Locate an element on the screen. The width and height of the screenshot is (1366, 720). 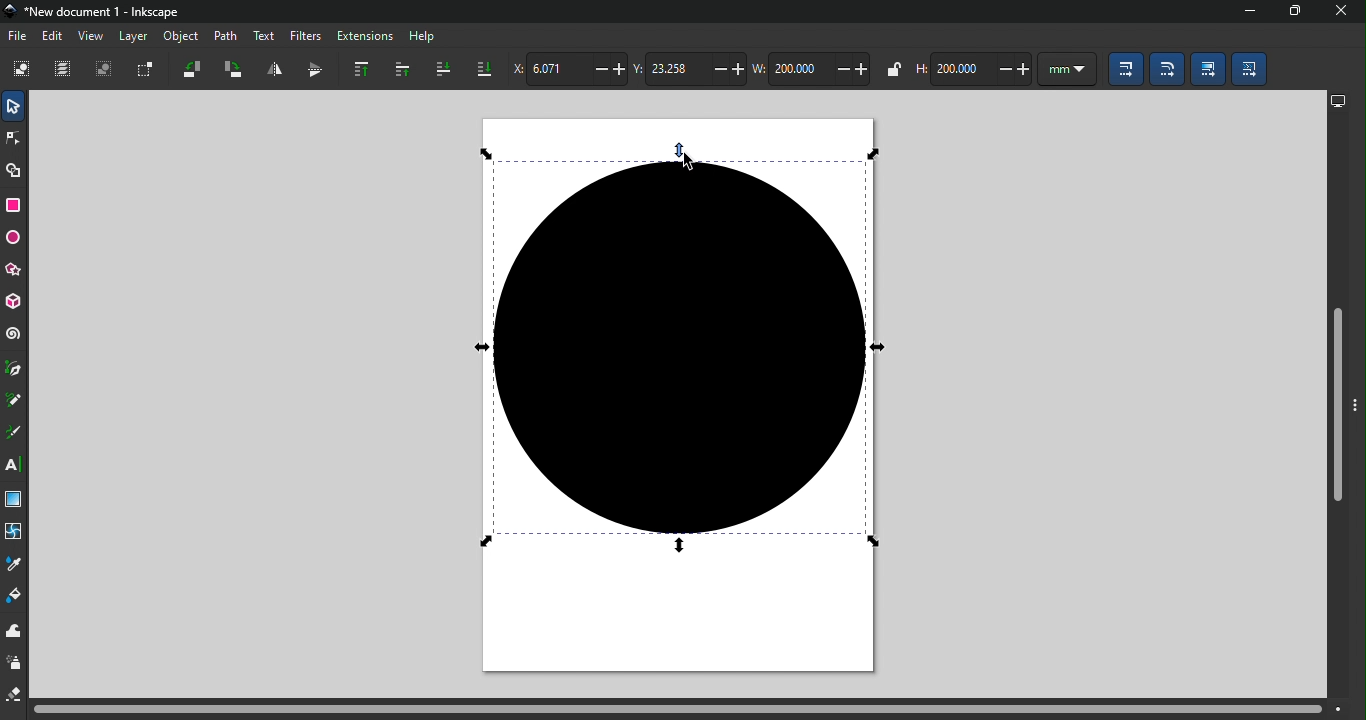
Object rotate 90 clockwise is located at coordinates (236, 72).